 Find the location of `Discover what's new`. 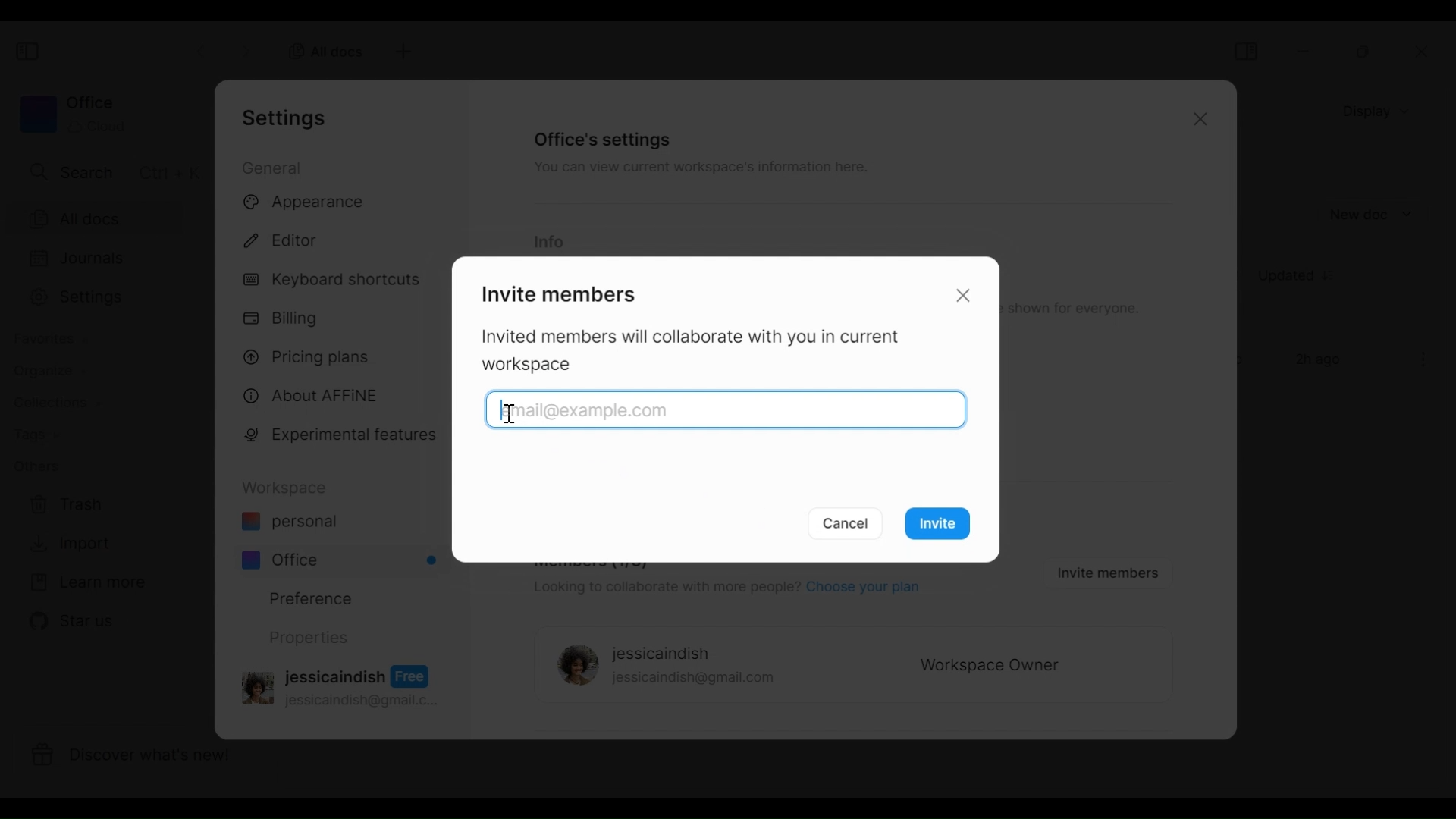

Discover what's new is located at coordinates (143, 758).